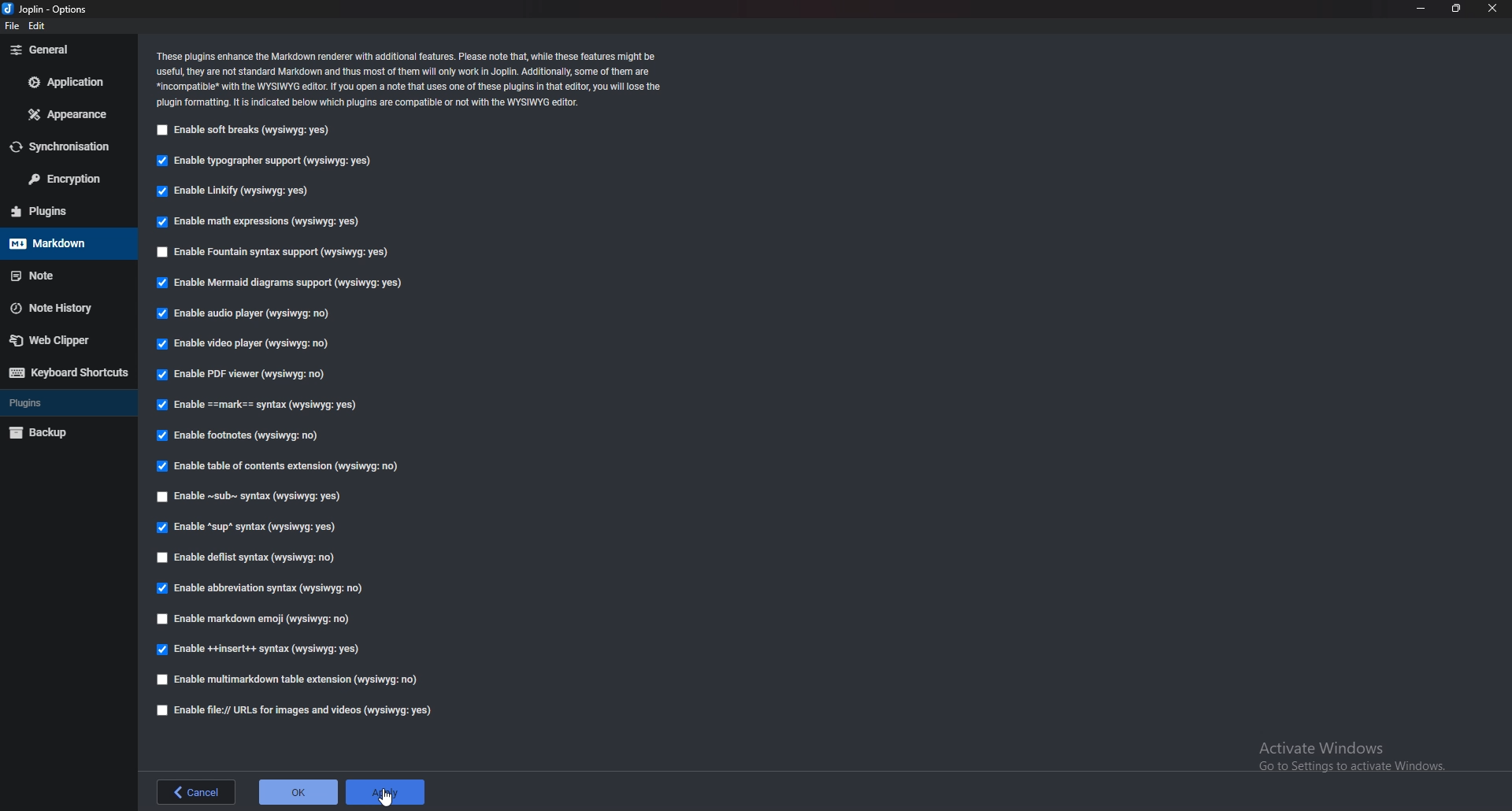  What do you see at coordinates (1455, 8) in the screenshot?
I see `resize` at bounding box center [1455, 8].